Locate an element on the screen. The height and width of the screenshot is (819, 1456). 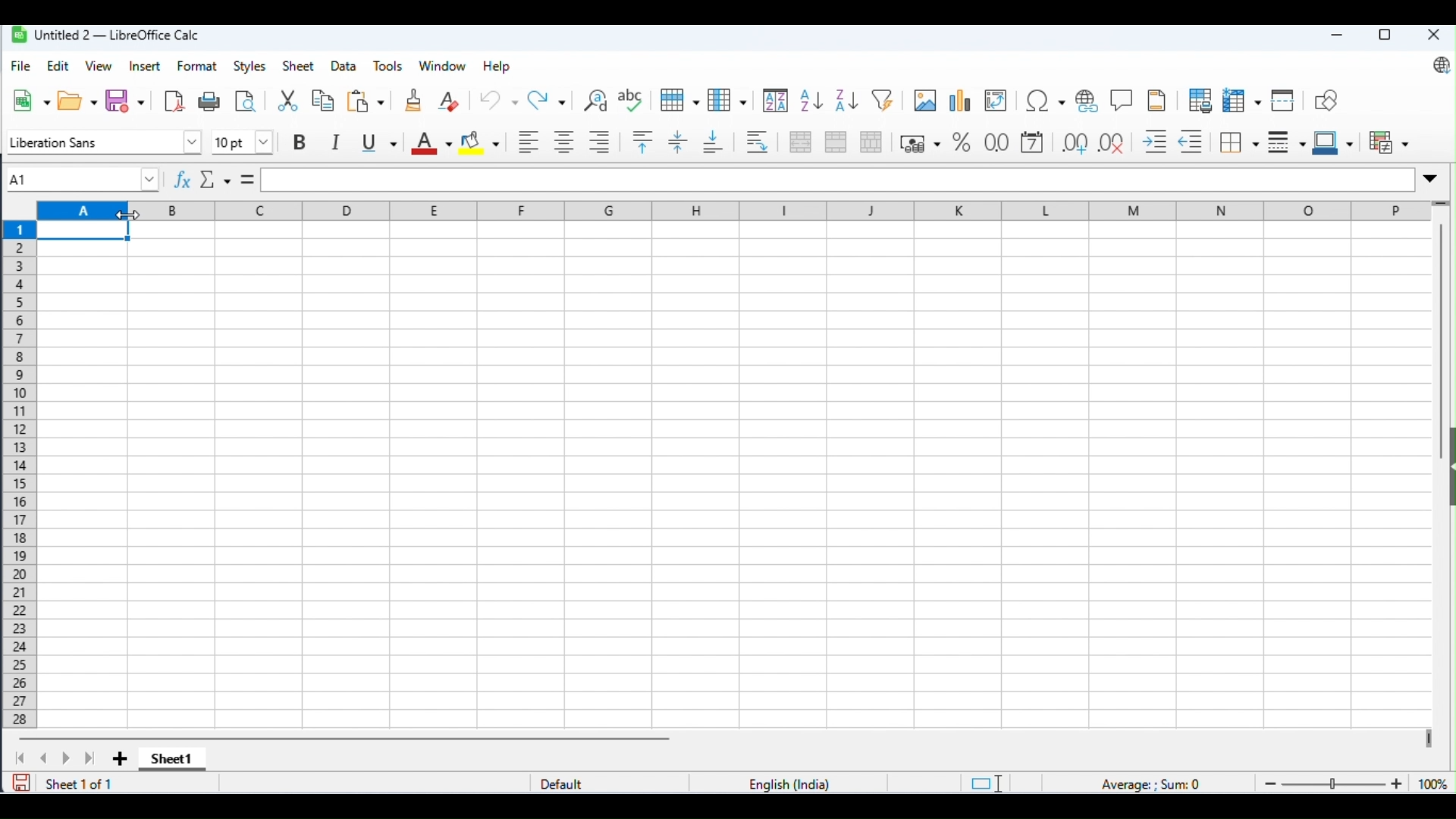
filter is located at coordinates (886, 100).